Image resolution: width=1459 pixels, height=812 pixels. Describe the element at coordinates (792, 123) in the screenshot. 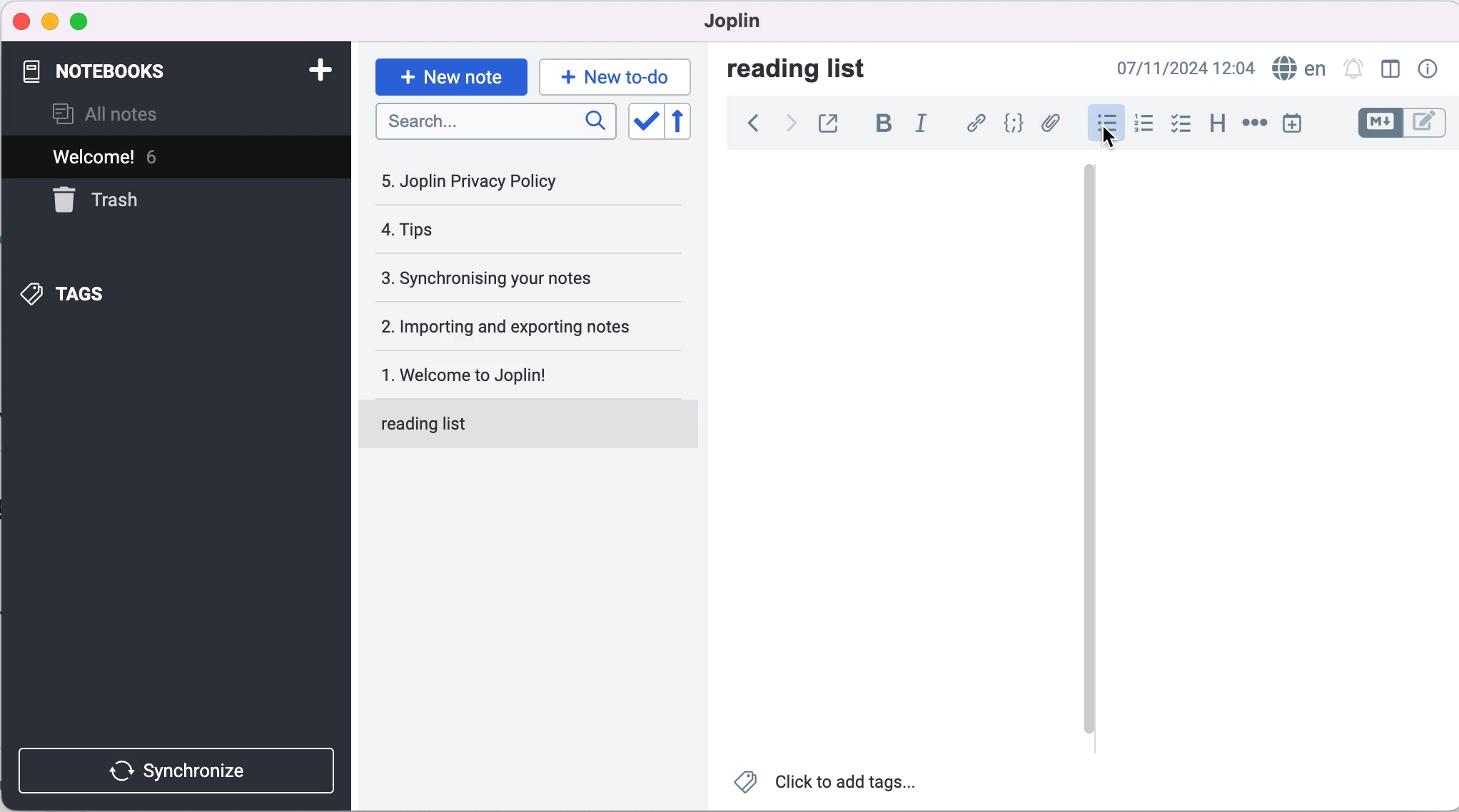

I see `forward` at that location.